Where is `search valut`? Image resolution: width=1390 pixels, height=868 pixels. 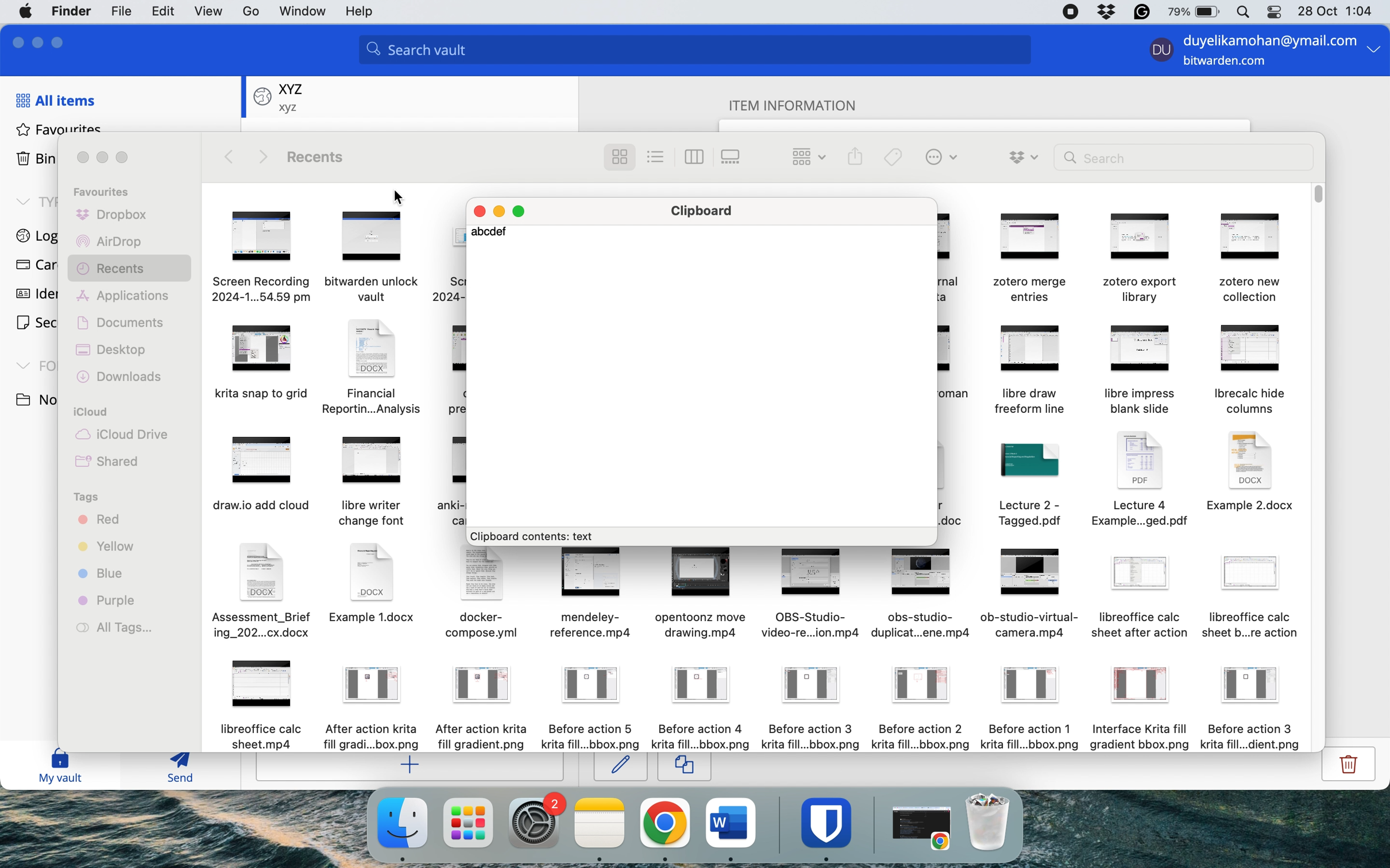 search valut is located at coordinates (702, 52).